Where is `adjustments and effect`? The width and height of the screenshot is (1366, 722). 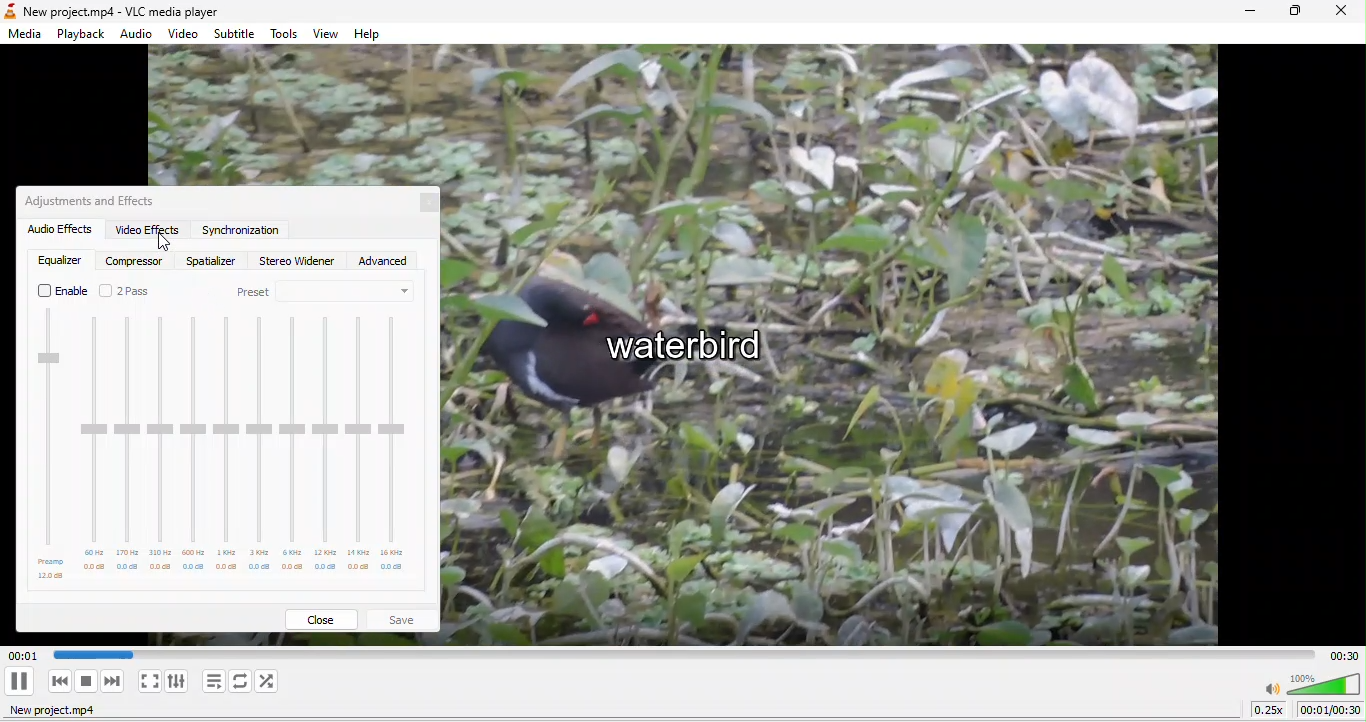
adjustments and effect is located at coordinates (97, 201).